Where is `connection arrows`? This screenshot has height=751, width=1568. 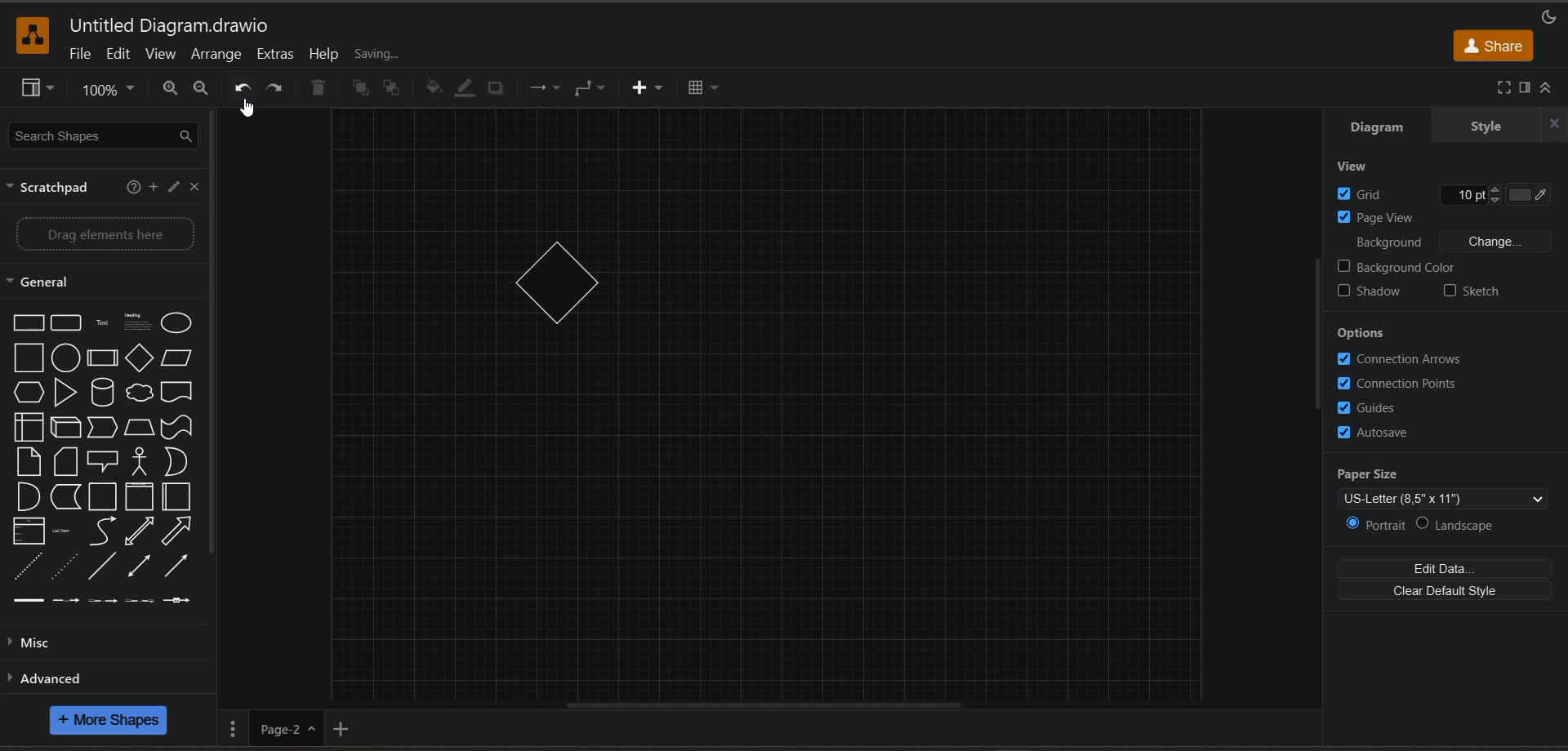 connection arrows is located at coordinates (1402, 361).